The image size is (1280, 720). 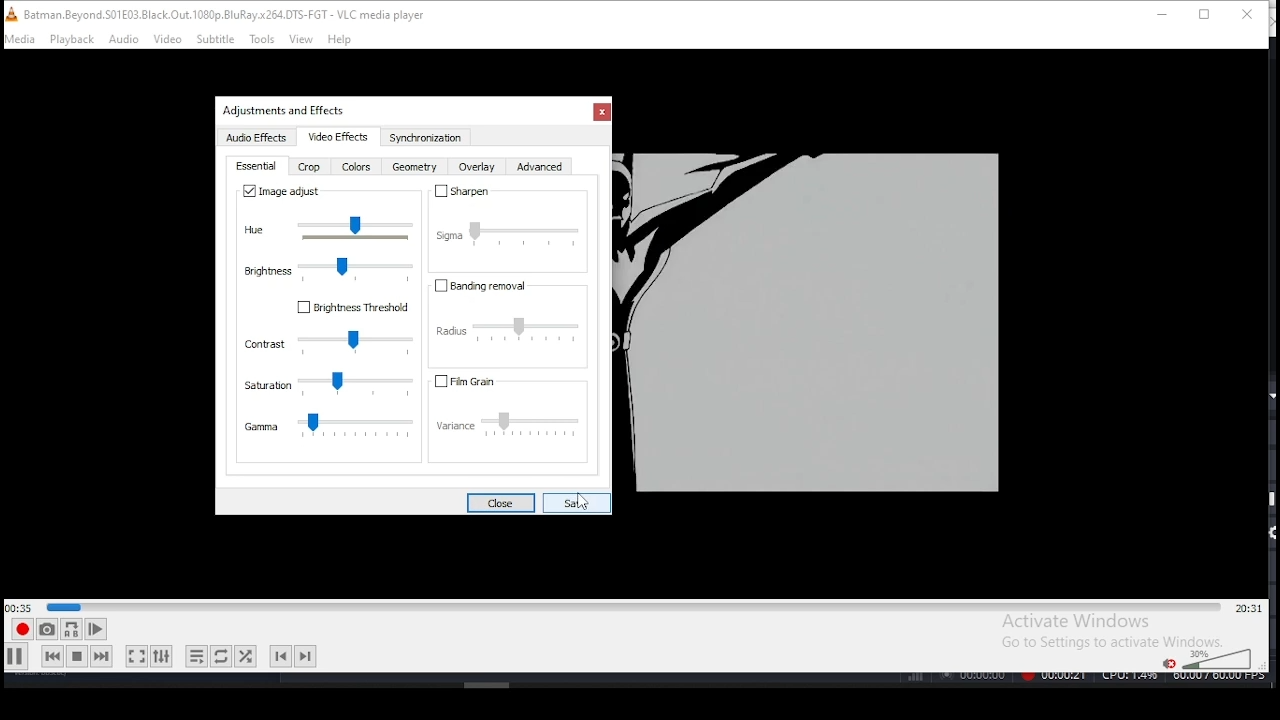 I want to click on toggle fullscreen, so click(x=137, y=658).